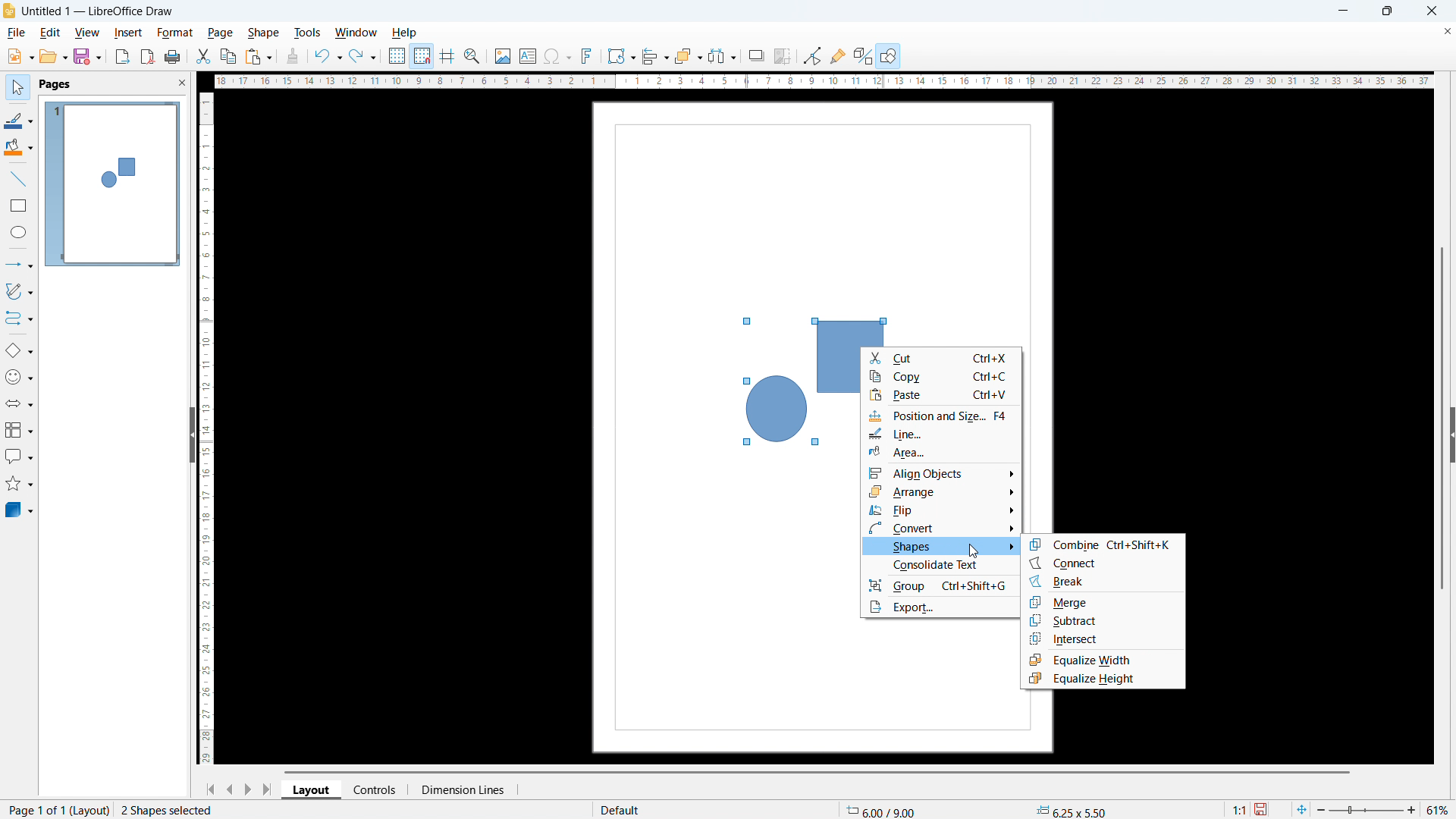 The image size is (1456, 819). I want to click on pages, so click(56, 83).